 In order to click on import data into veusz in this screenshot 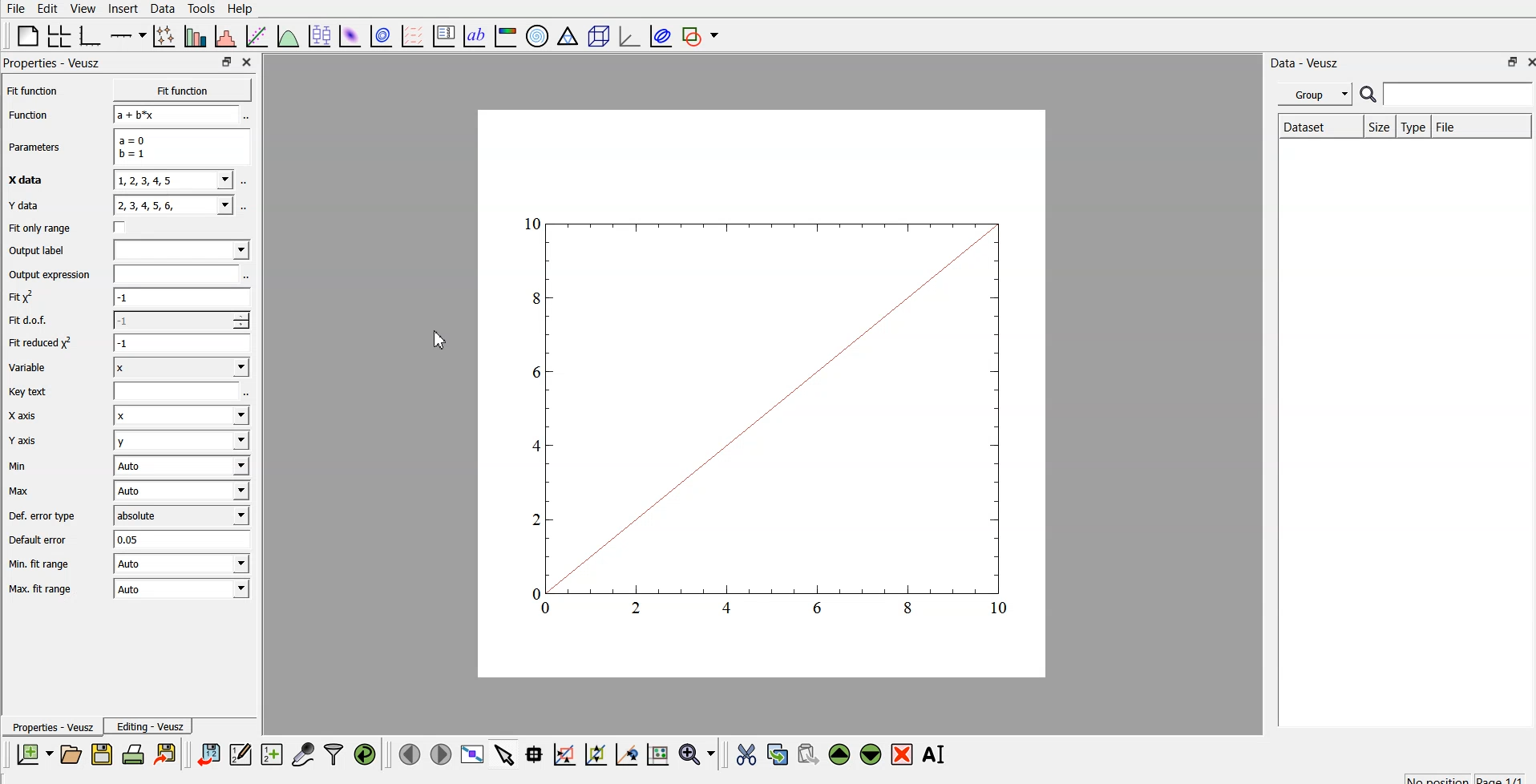, I will do `click(209, 755)`.